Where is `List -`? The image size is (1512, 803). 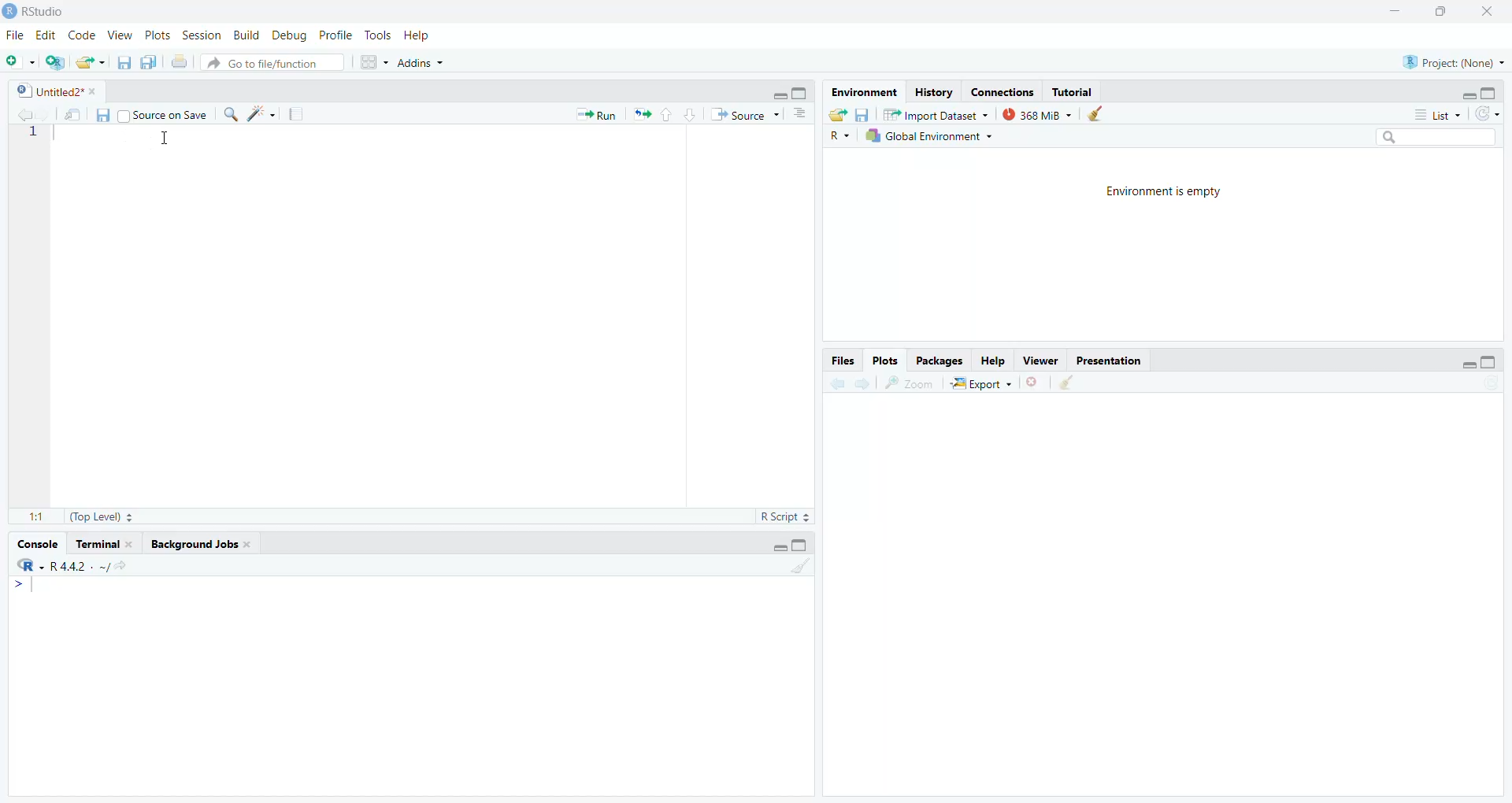 List - is located at coordinates (1435, 115).